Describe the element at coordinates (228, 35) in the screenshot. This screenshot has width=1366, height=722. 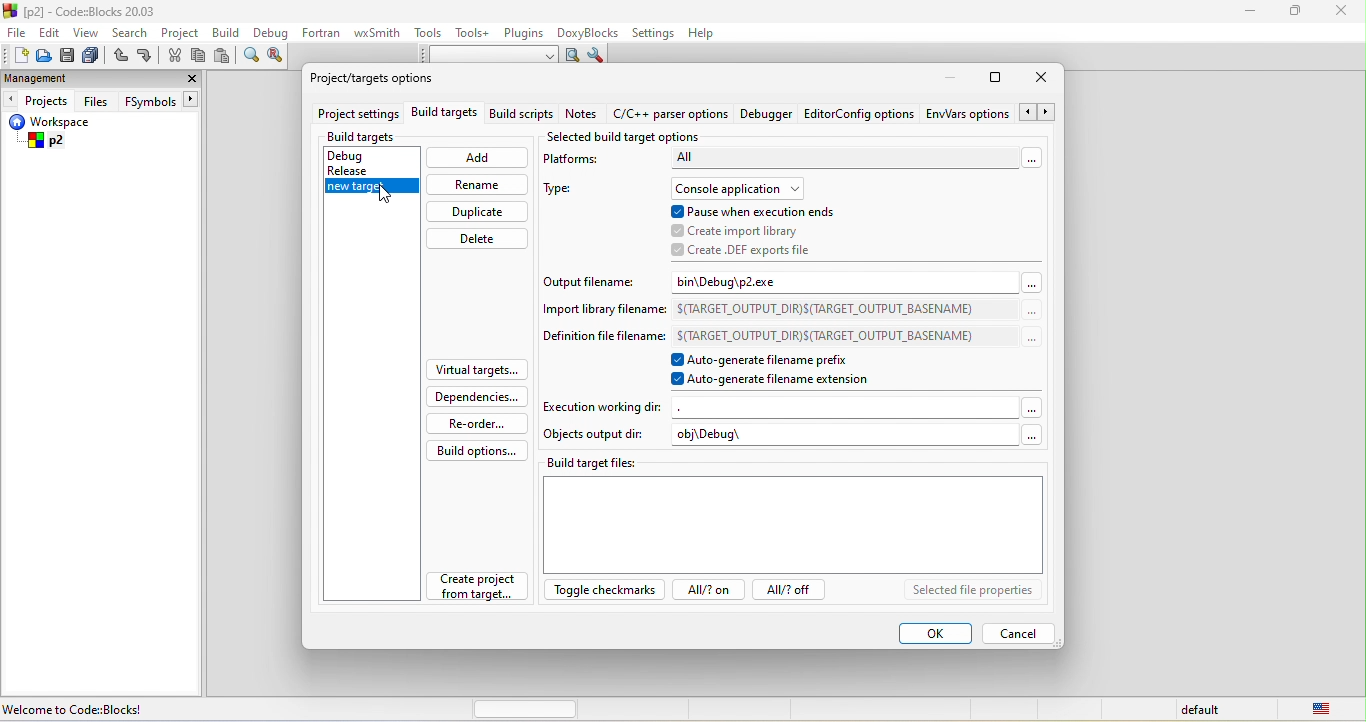
I see `build` at that location.